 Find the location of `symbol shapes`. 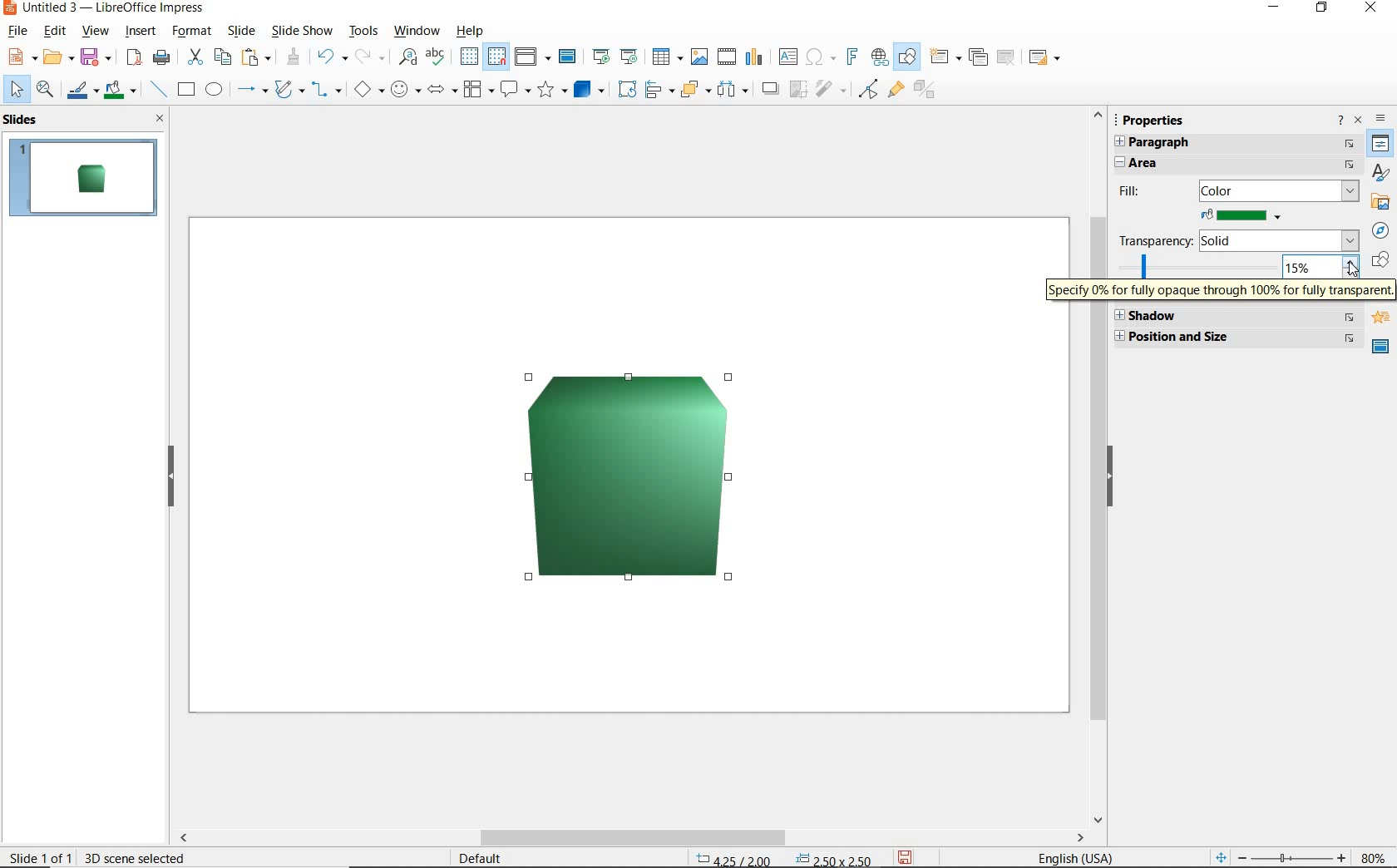

symbol shapes is located at coordinates (407, 89).